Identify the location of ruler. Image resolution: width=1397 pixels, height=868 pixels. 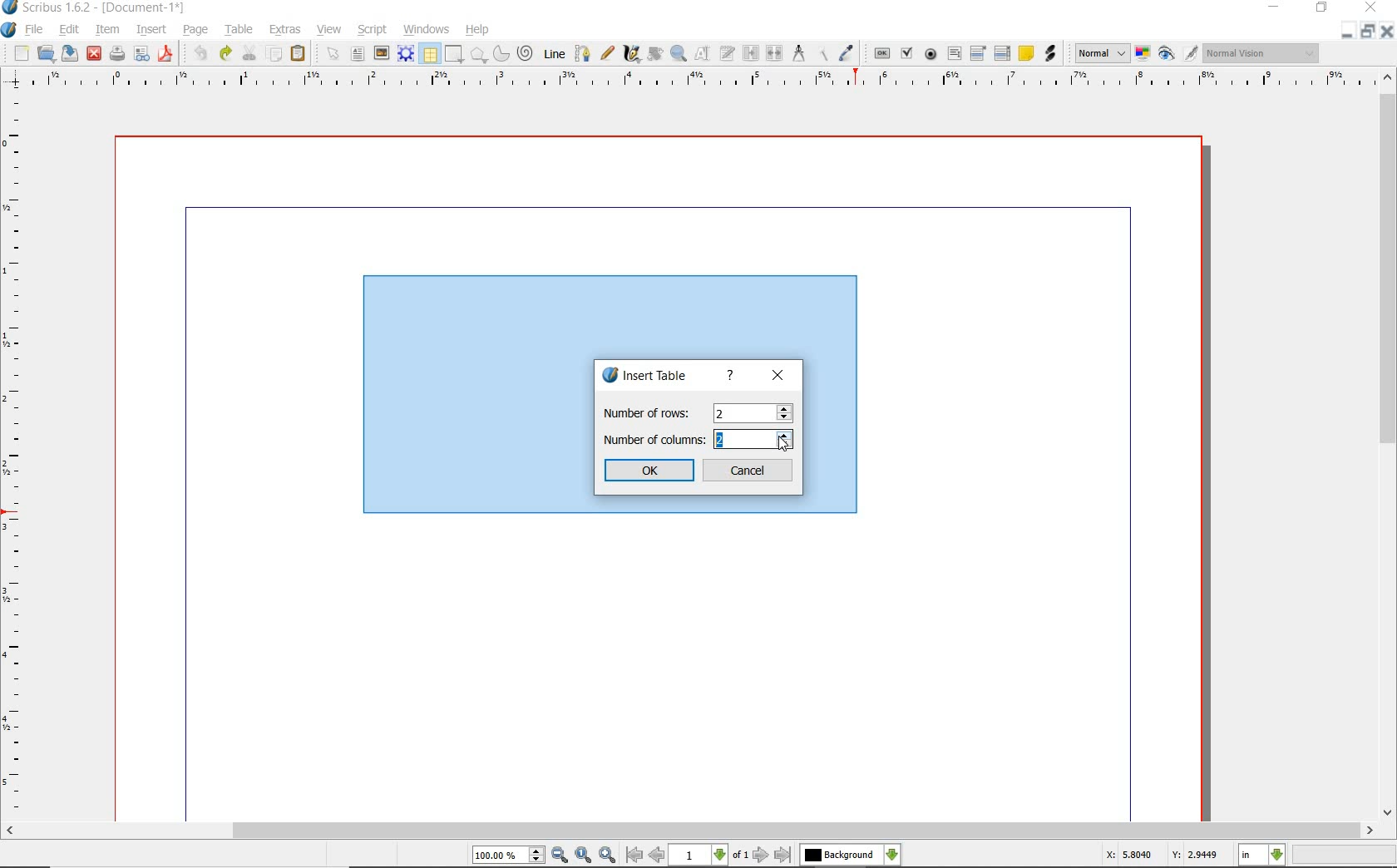
(706, 80).